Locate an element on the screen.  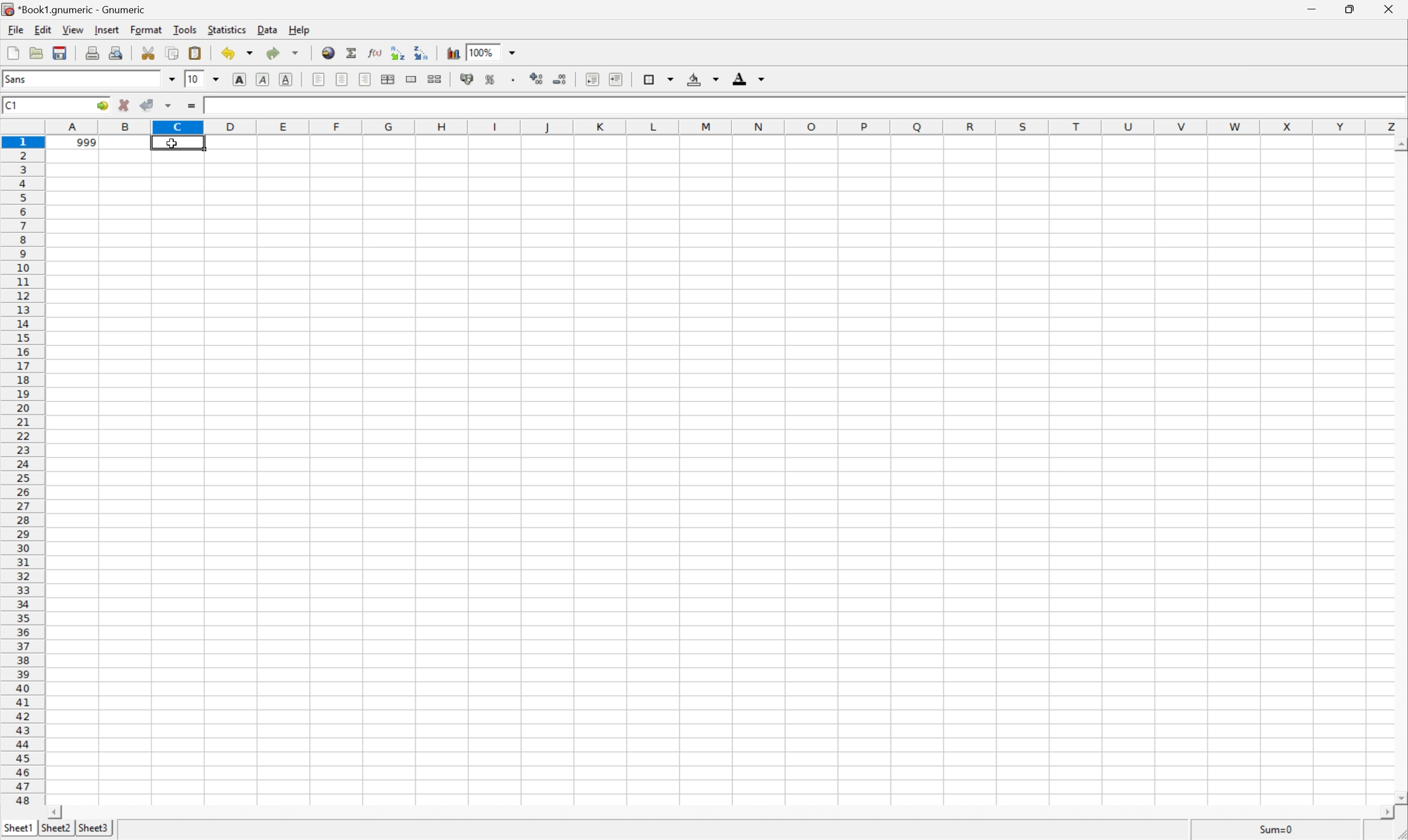
merge a range of cells is located at coordinates (411, 80).